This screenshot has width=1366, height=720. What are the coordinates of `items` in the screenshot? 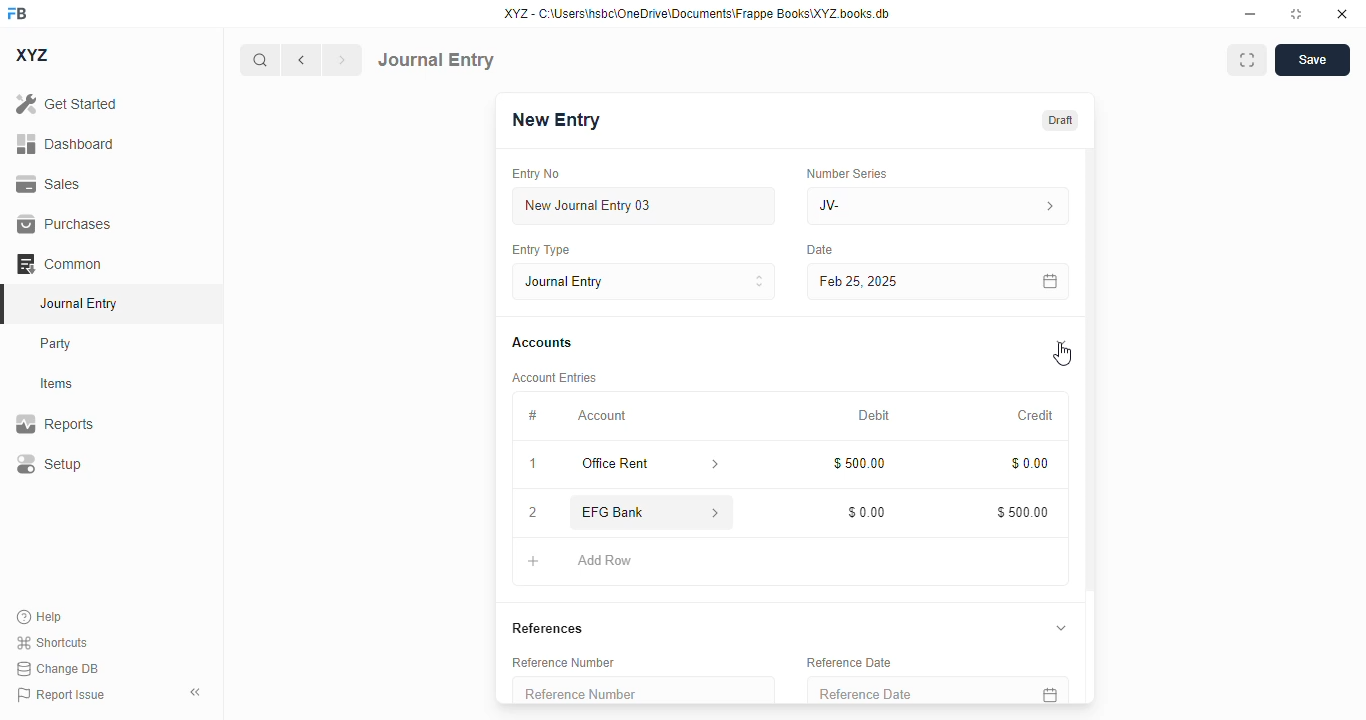 It's located at (57, 384).